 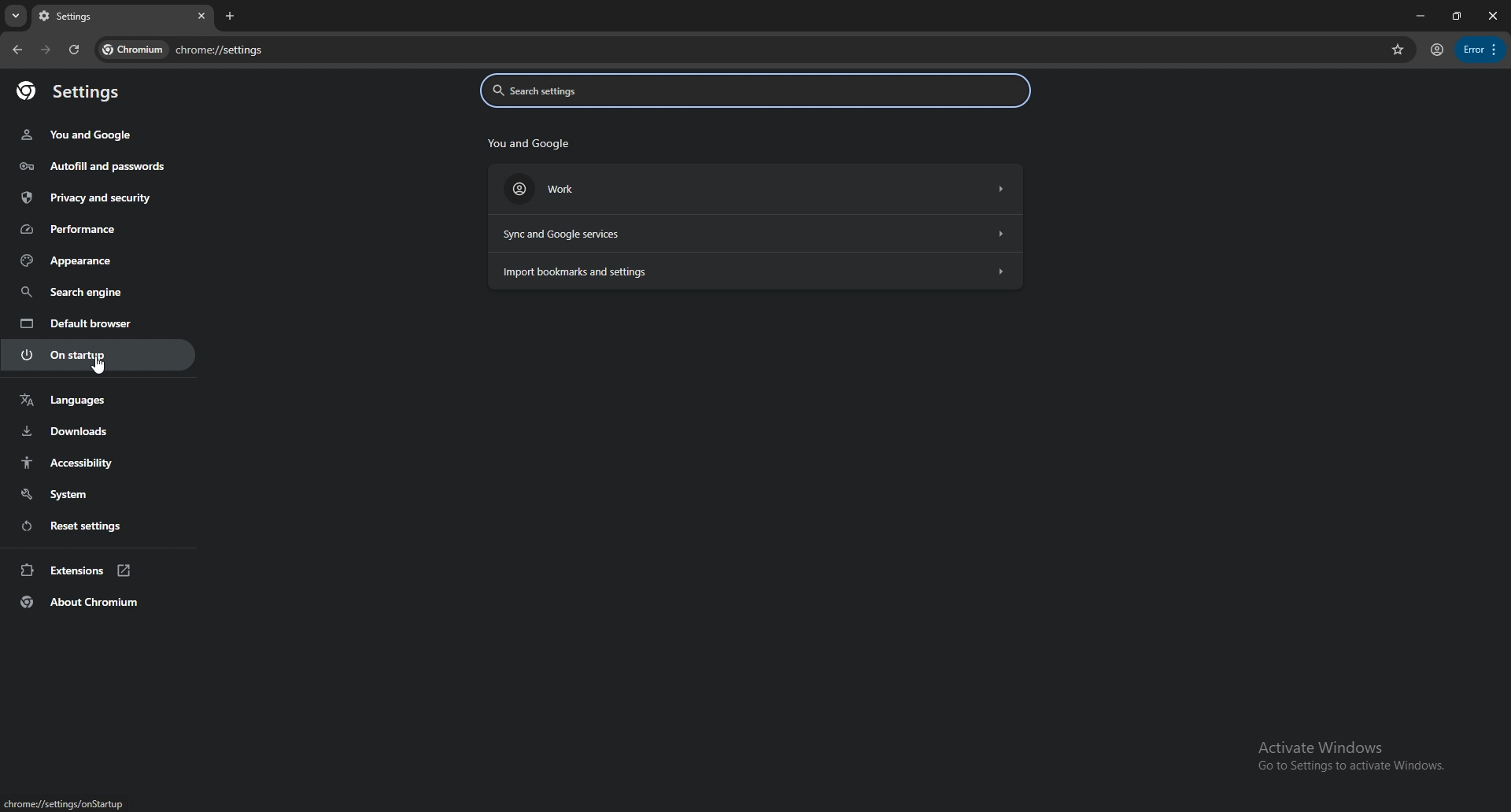 I want to click on system, so click(x=98, y=494).